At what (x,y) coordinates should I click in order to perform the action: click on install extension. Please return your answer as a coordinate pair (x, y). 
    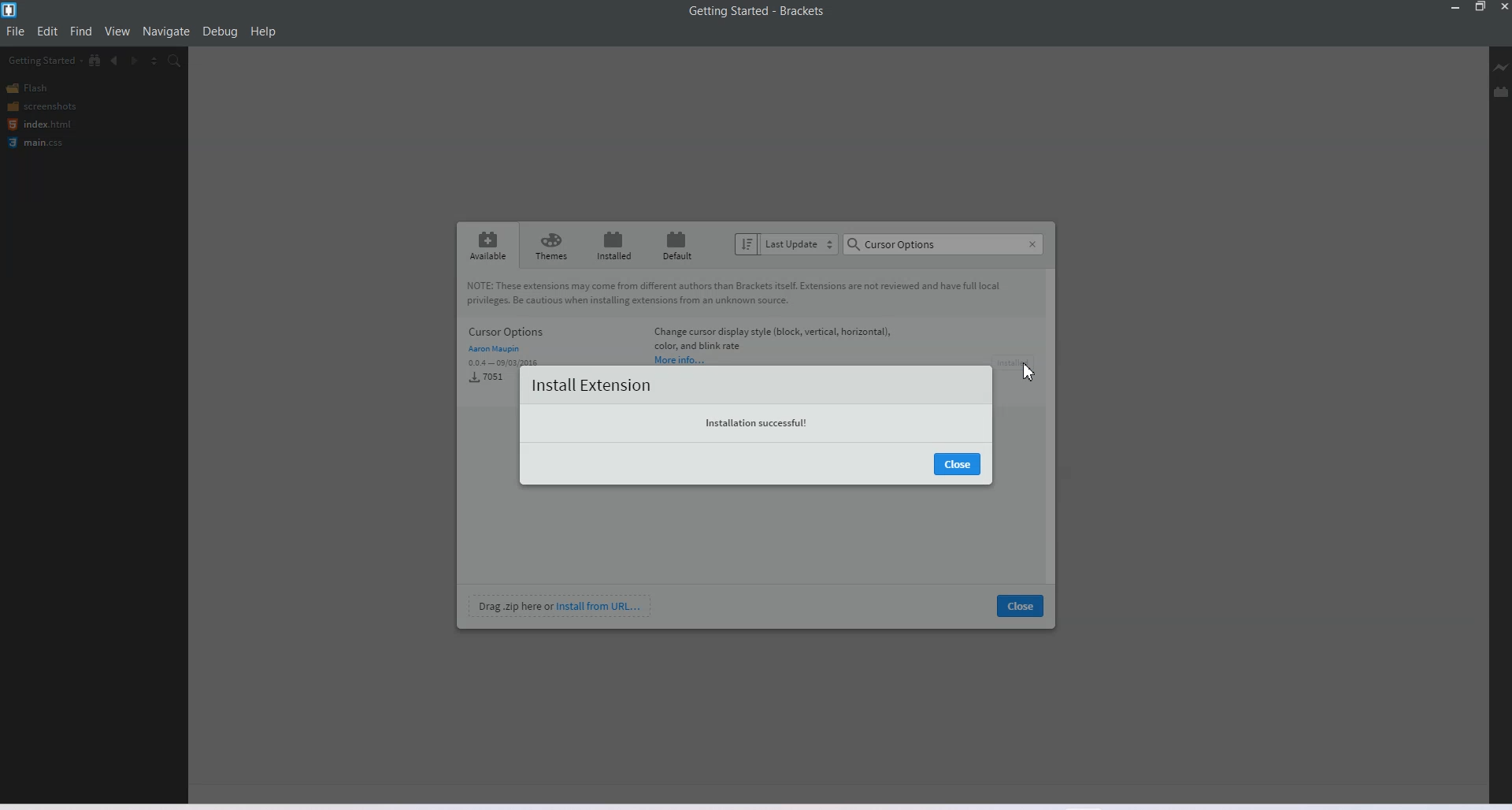
    Looking at the image, I should click on (595, 383).